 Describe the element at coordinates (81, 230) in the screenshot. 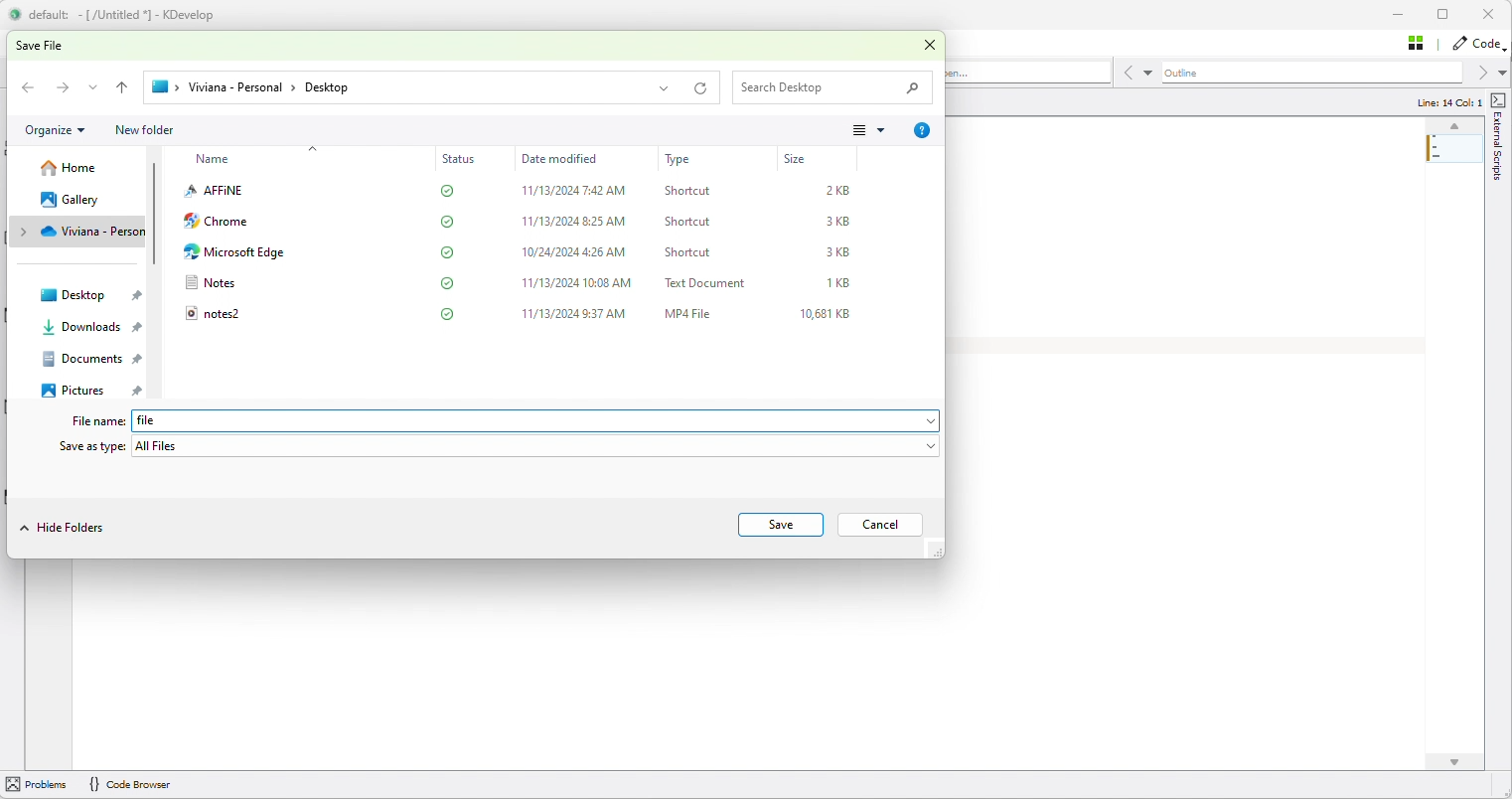

I see `Cloud` at that location.